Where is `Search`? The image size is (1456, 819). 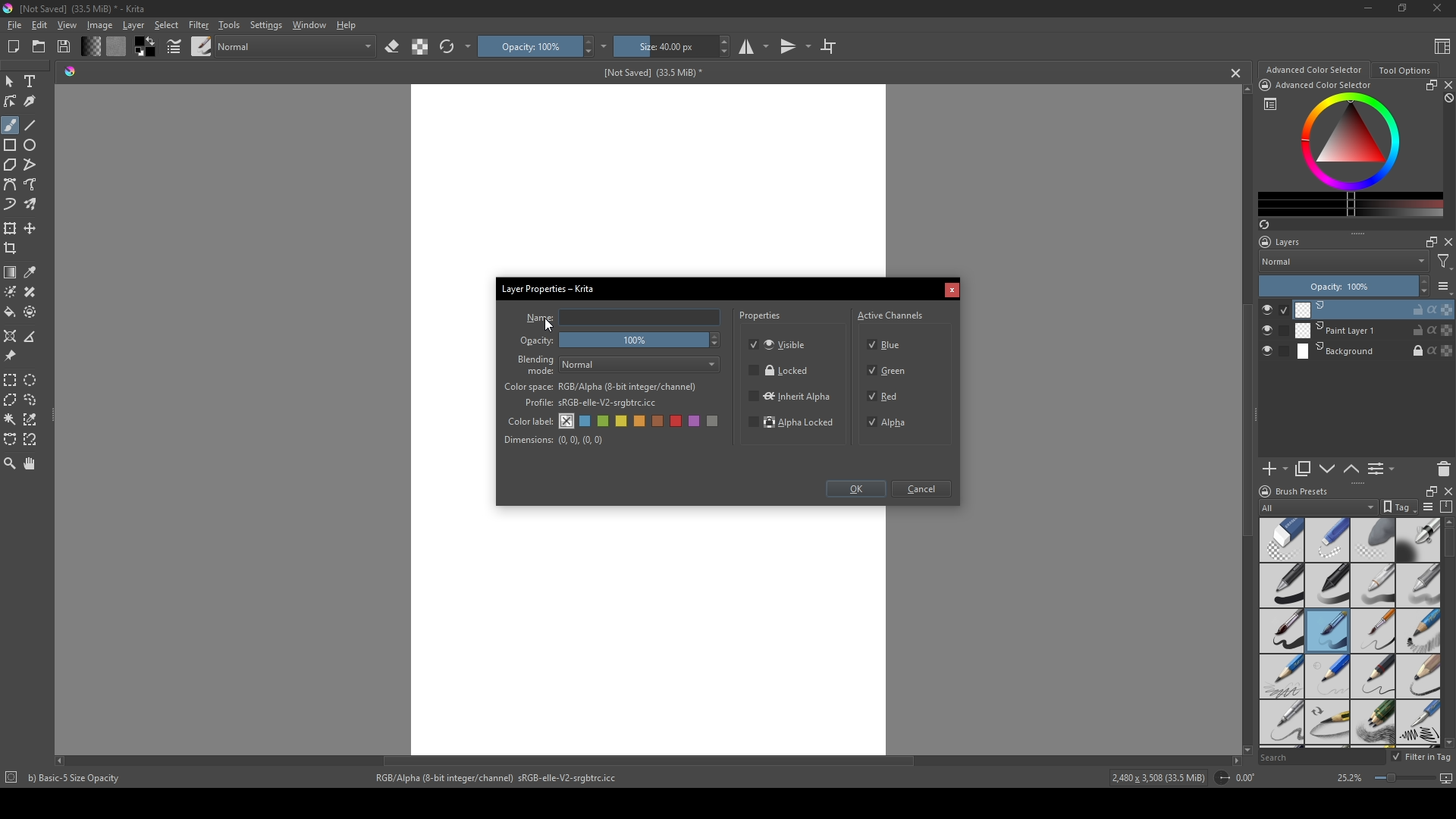 Search is located at coordinates (1321, 758).